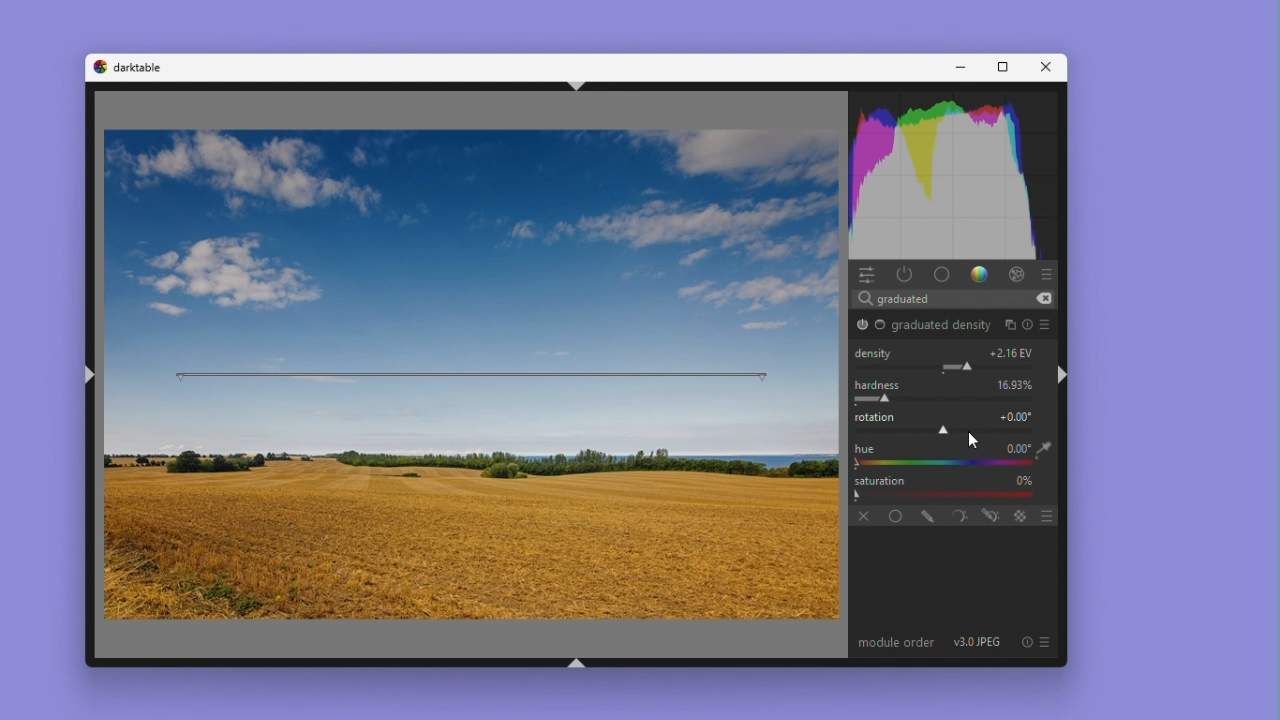  What do you see at coordinates (881, 326) in the screenshot?
I see `Base` at bounding box center [881, 326].